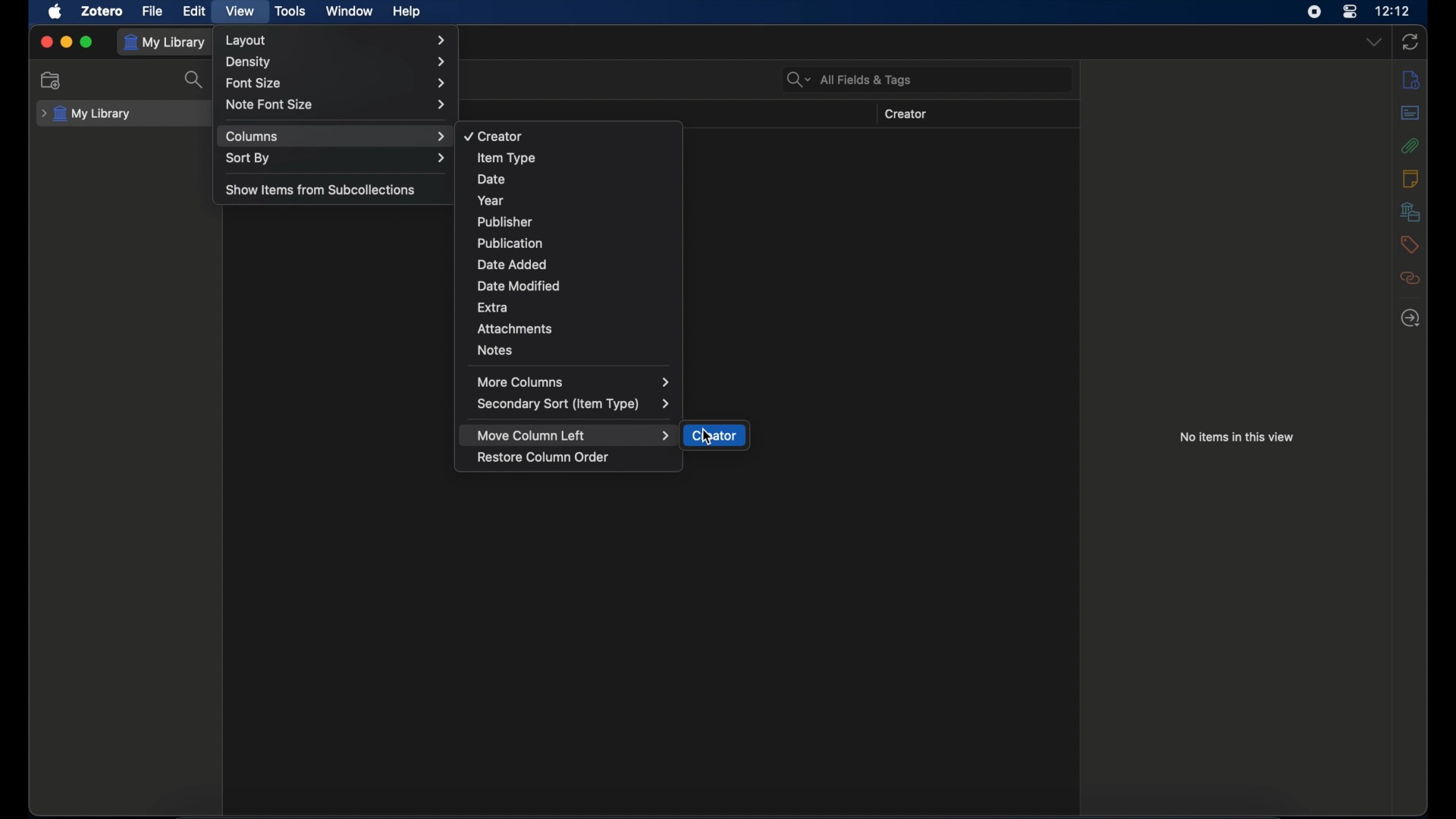 This screenshot has width=1456, height=819. What do you see at coordinates (153, 11) in the screenshot?
I see `file` at bounding box center [153, 11].